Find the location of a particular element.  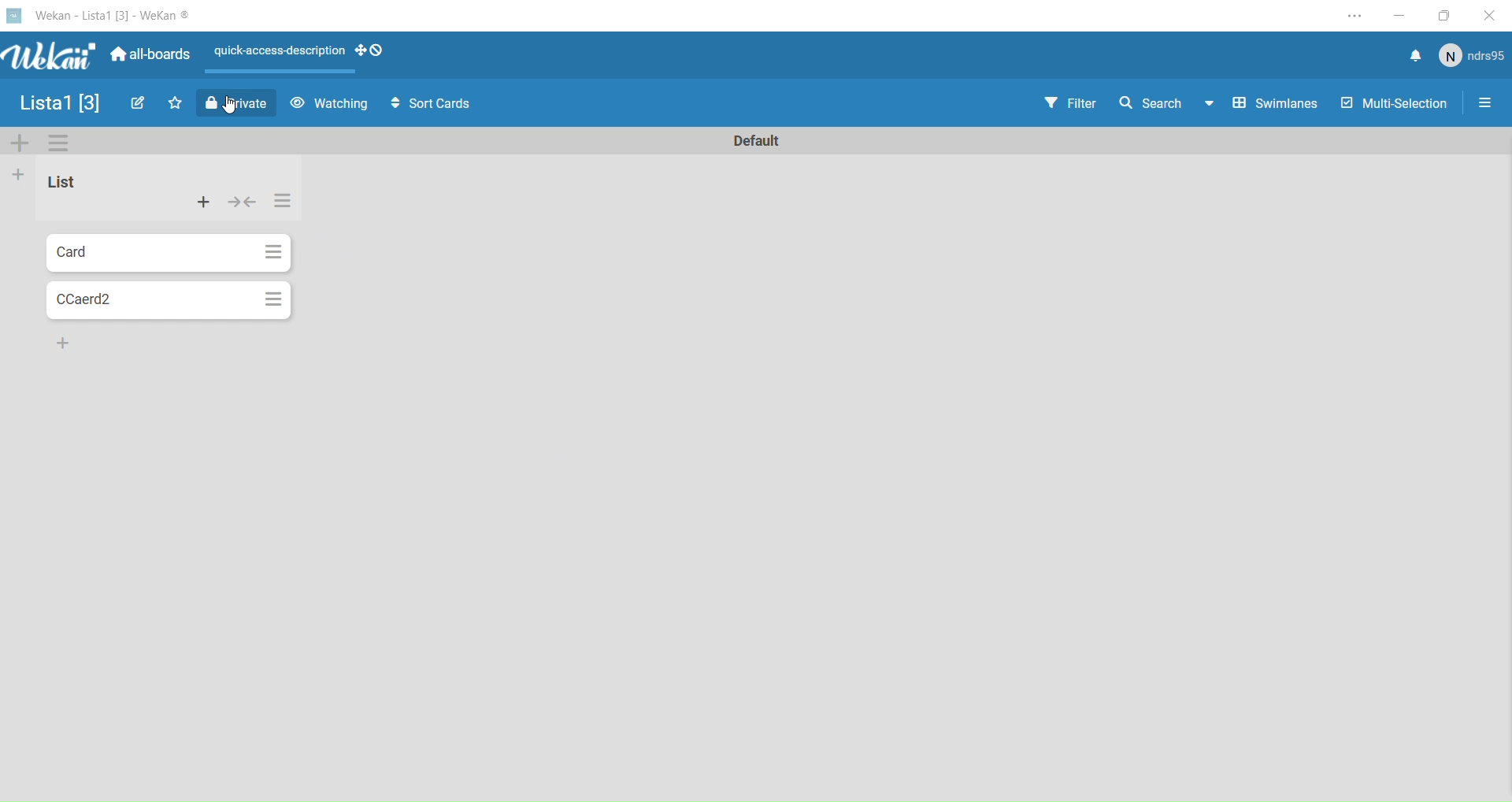

Wekan Logo is located at coordinates (44, 58).